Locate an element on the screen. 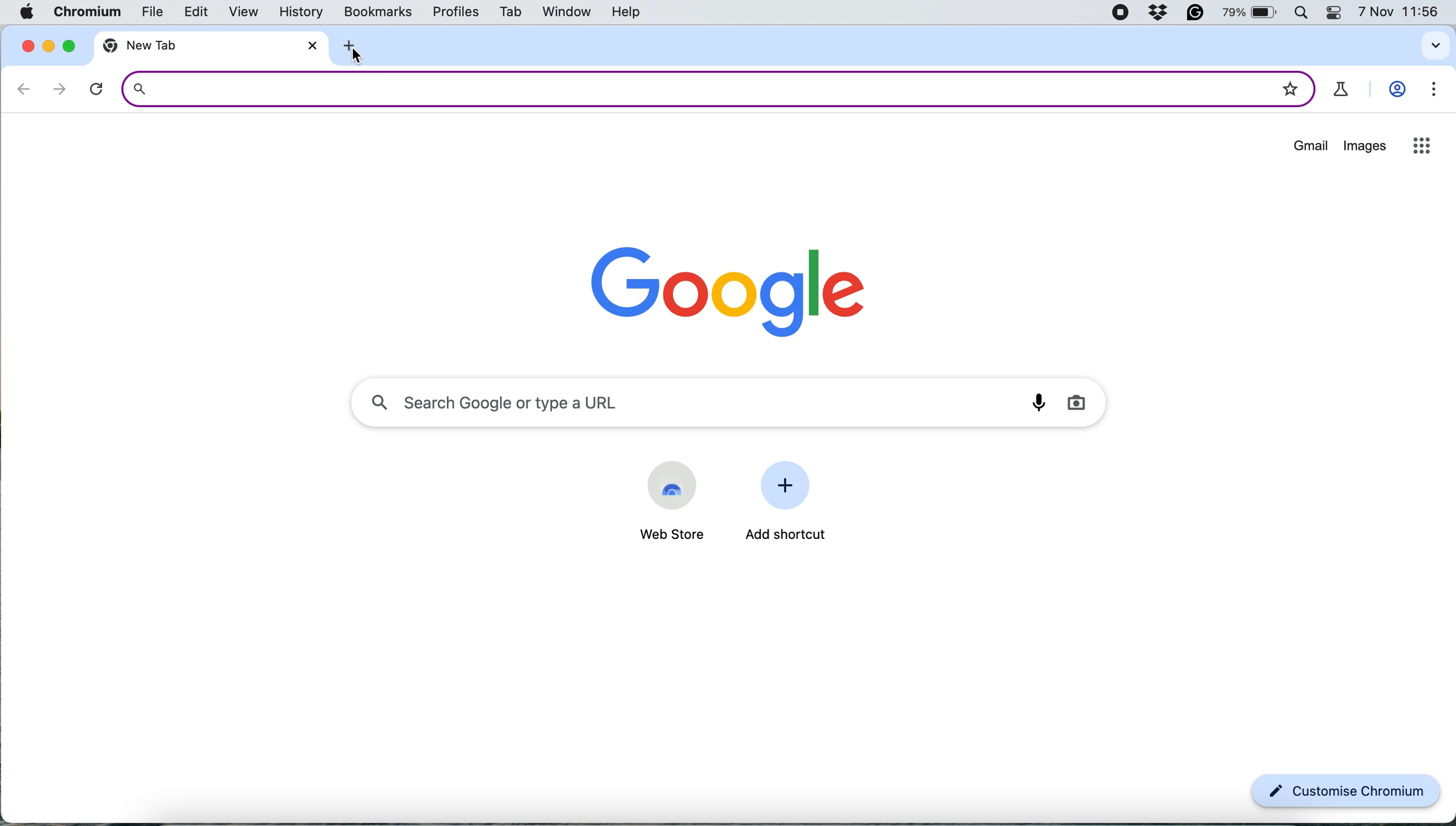 This screenshot has width=1456, height=826. open new tab is located at coordinates (356, 44).